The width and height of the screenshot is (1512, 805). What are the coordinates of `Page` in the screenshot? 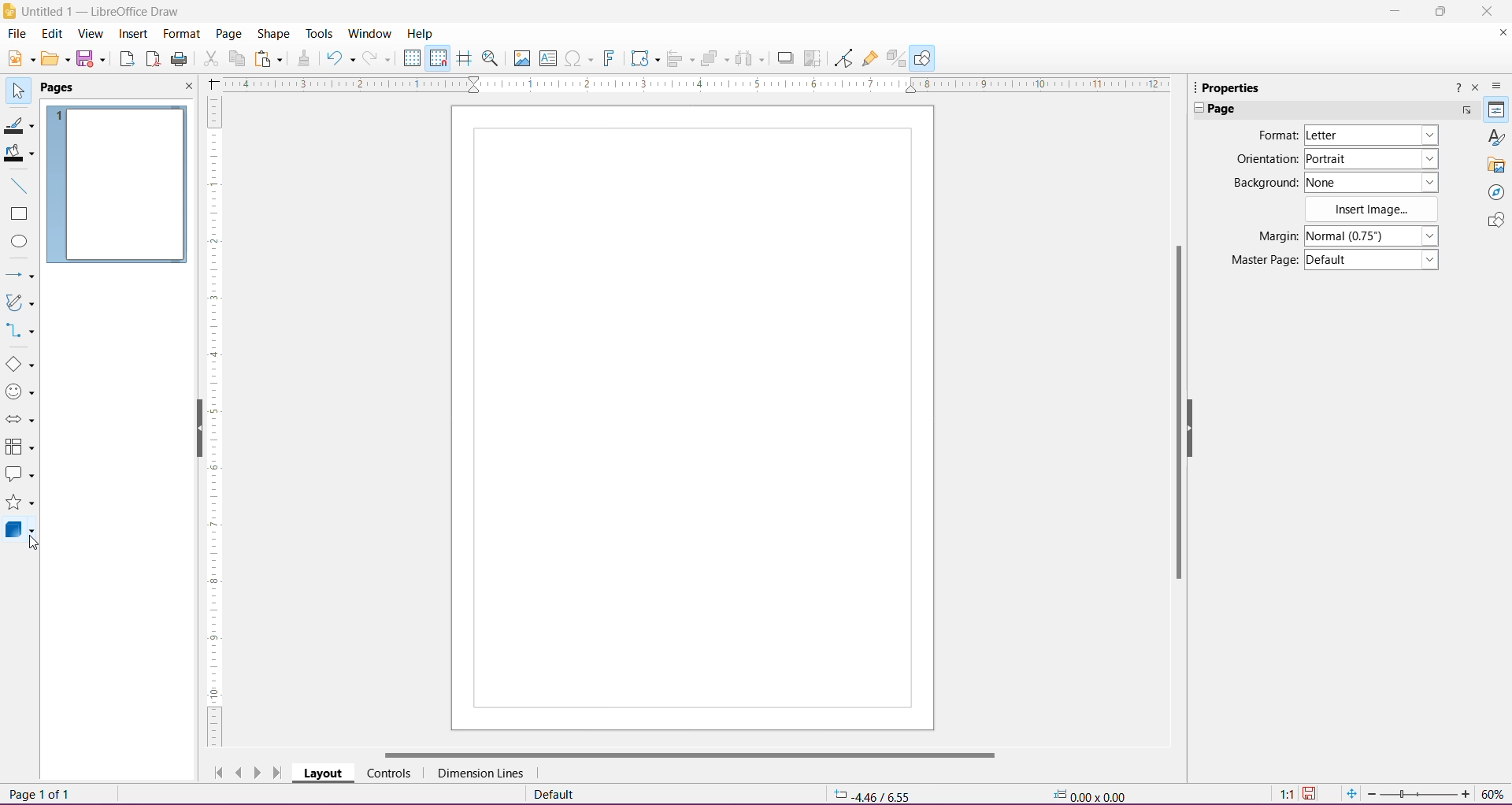 It's located at (1228, 109).